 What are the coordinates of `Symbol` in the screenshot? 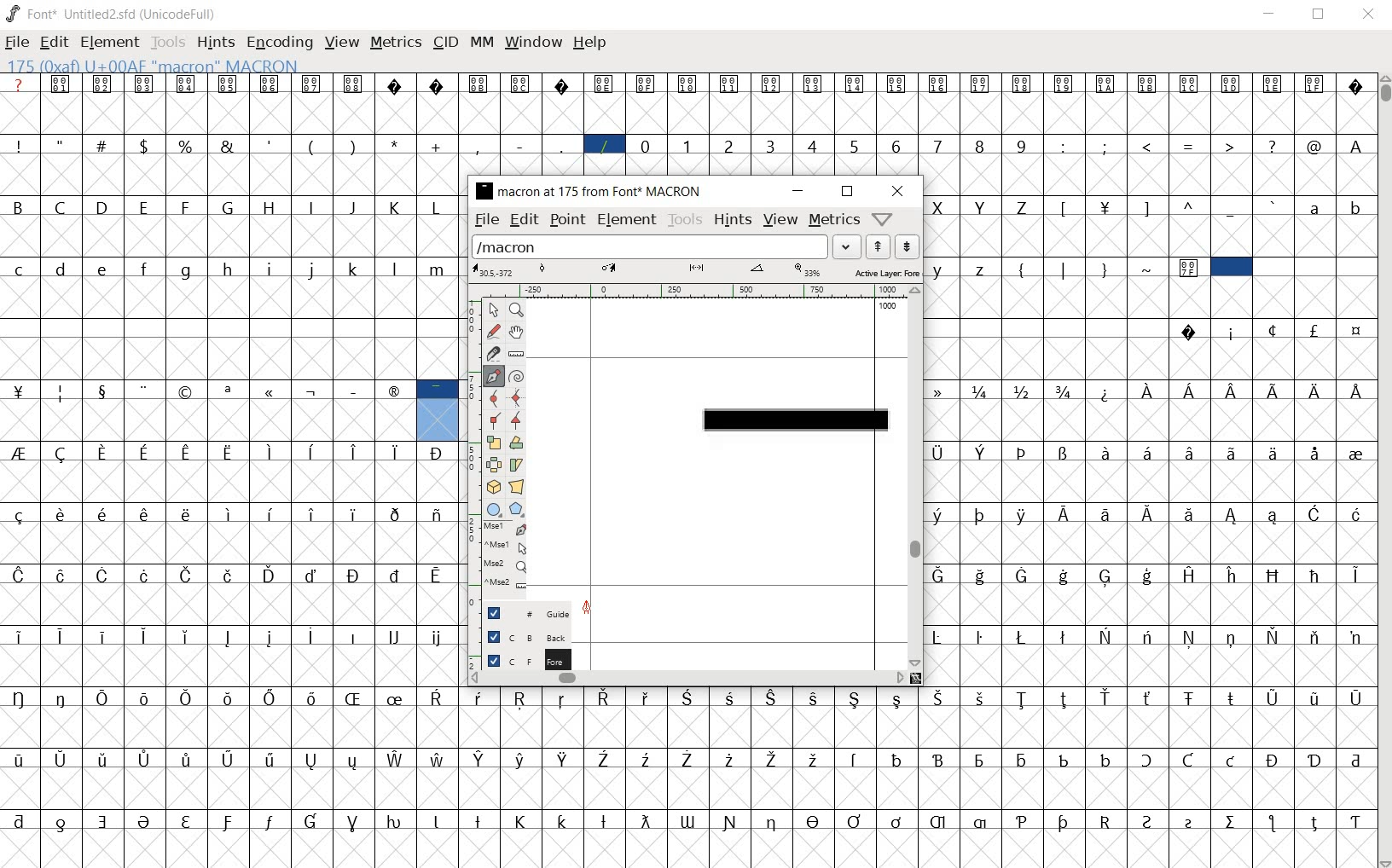 It's located at (272, 759).